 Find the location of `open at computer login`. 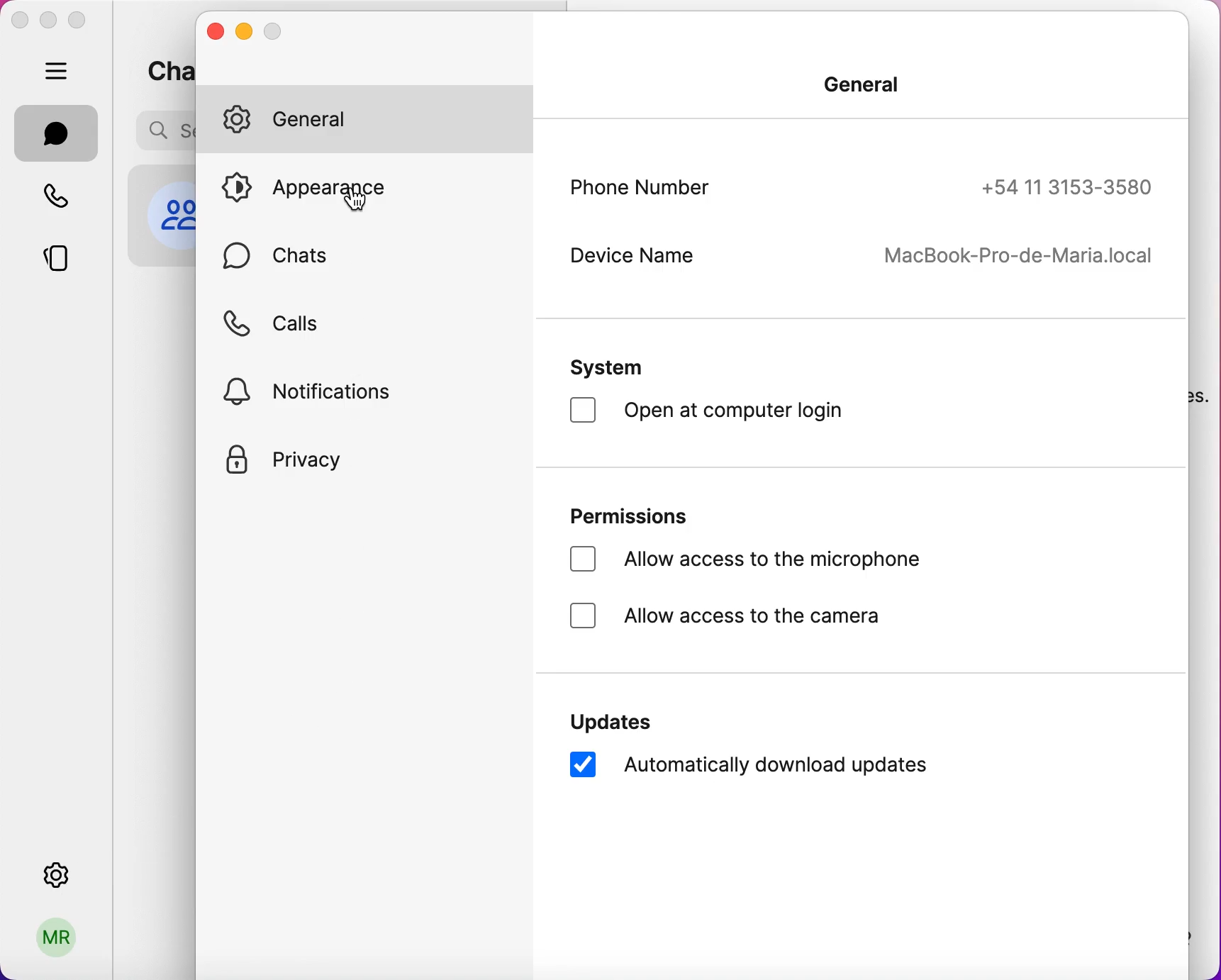

open at computer login is located at coordinates (748, 416).